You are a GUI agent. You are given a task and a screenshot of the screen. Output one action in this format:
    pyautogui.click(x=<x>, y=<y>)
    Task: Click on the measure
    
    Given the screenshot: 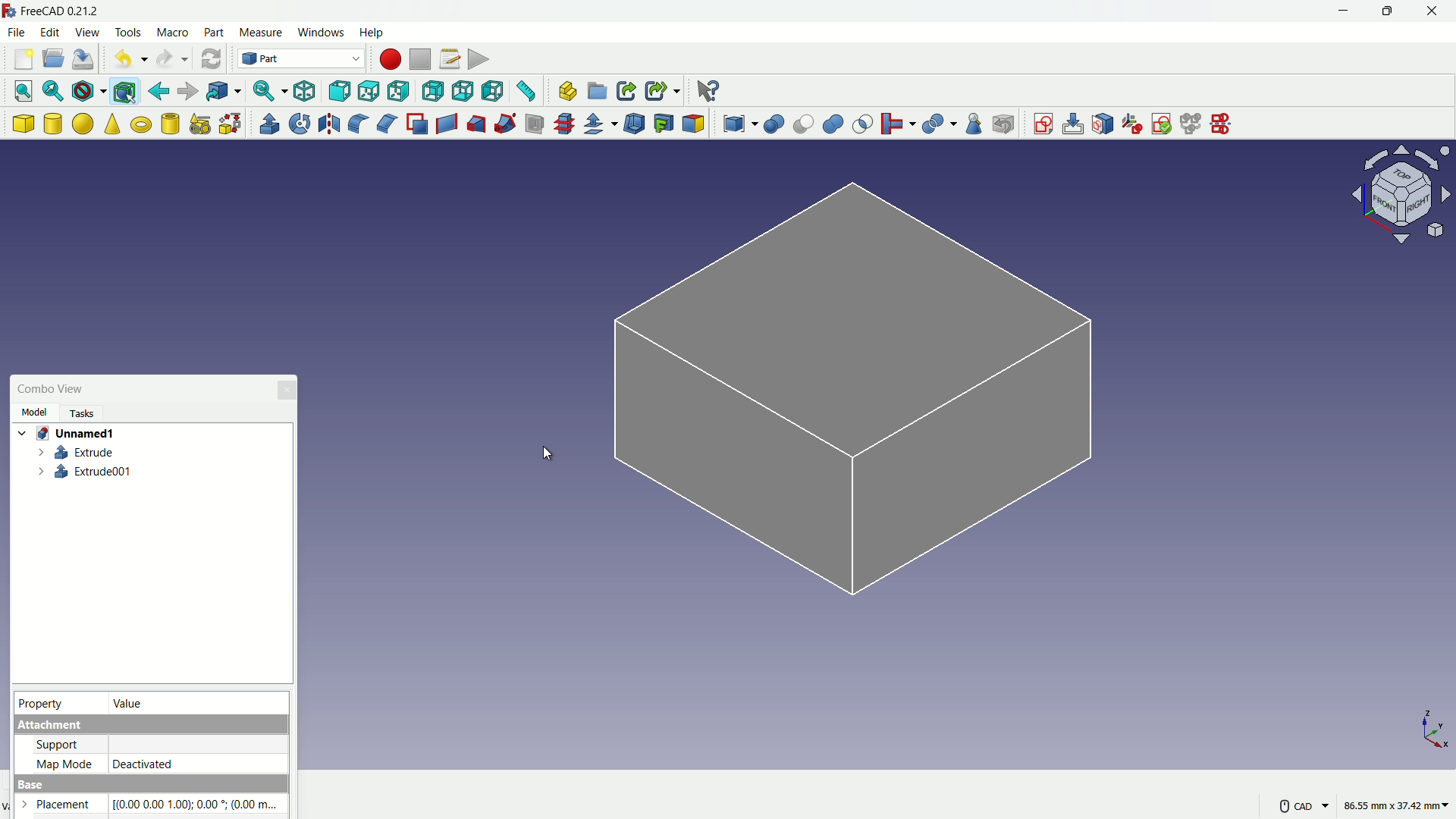 What is the action you would take?
    pyautogui.click(x=528, y=91)
    